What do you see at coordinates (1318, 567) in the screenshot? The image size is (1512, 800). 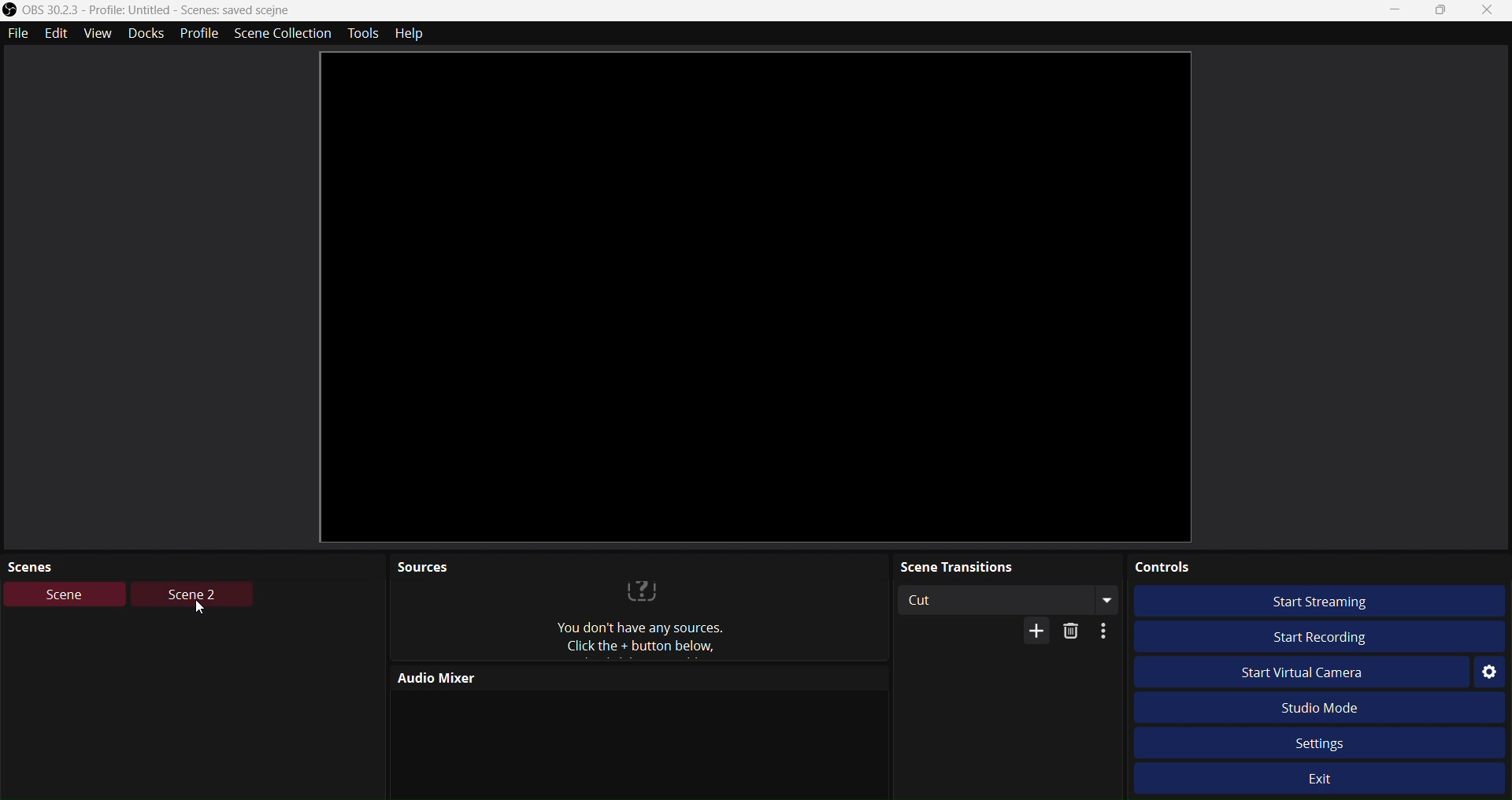 I see `Controls` at bounding box center [1318, 567].